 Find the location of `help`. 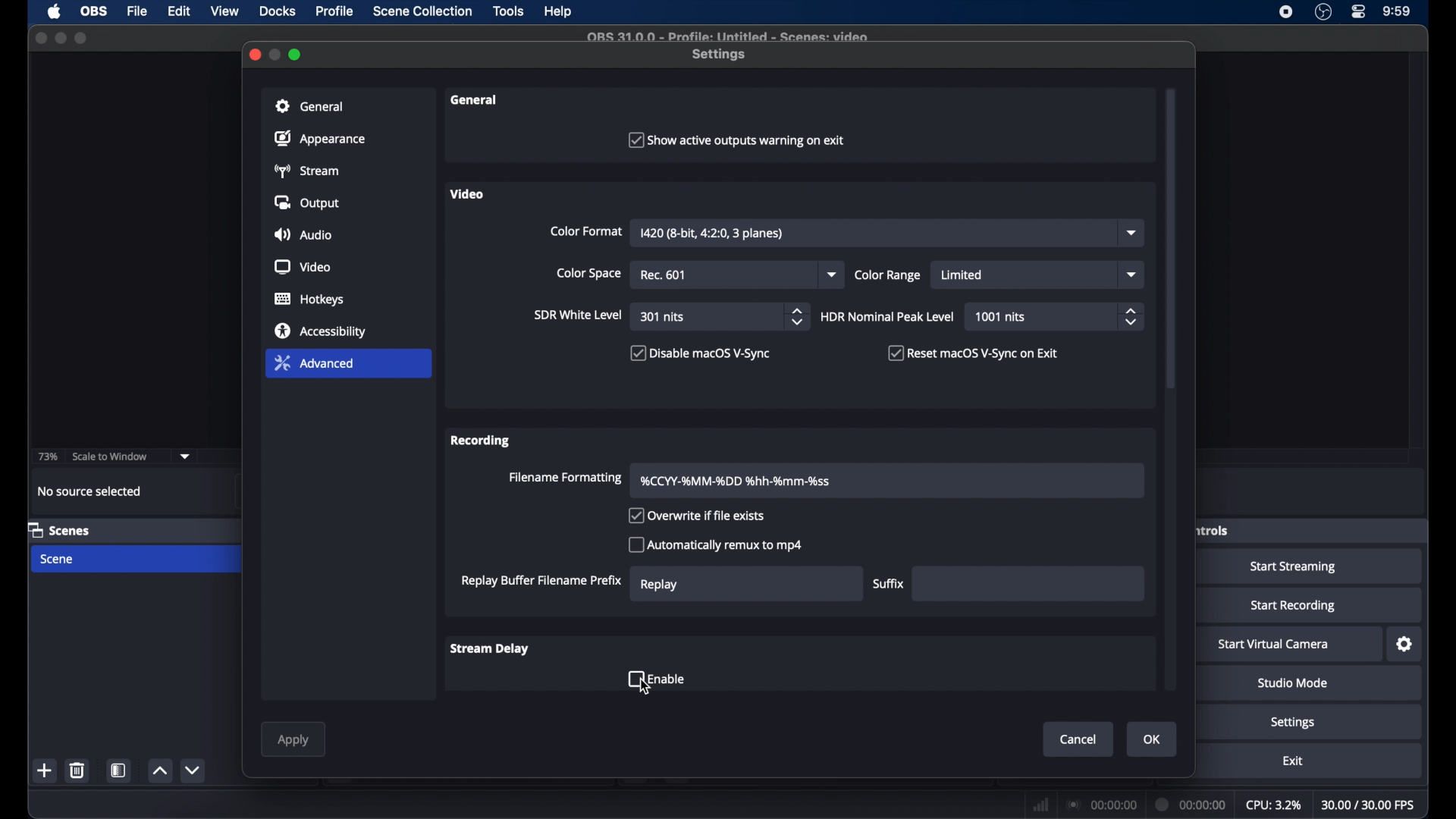

help is located at coordinates (559, 12).